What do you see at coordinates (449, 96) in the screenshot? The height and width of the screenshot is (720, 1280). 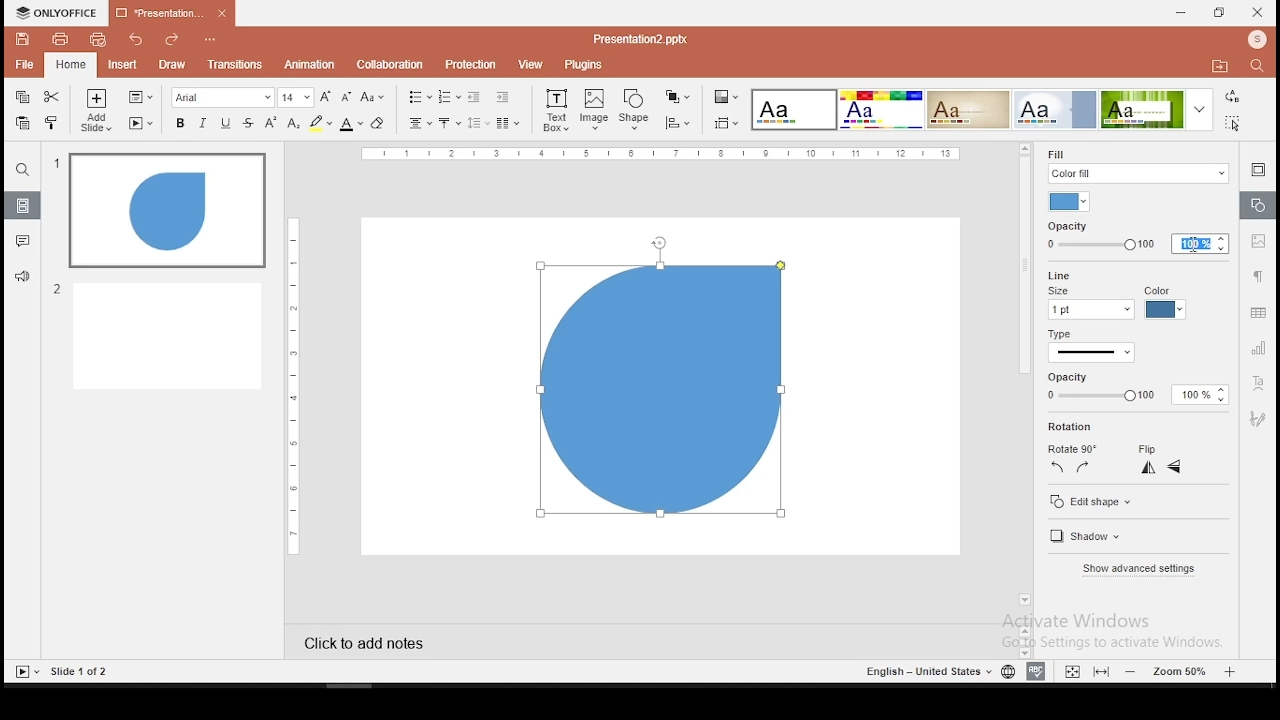 I see `numbering` at bounding box center [449, 96].